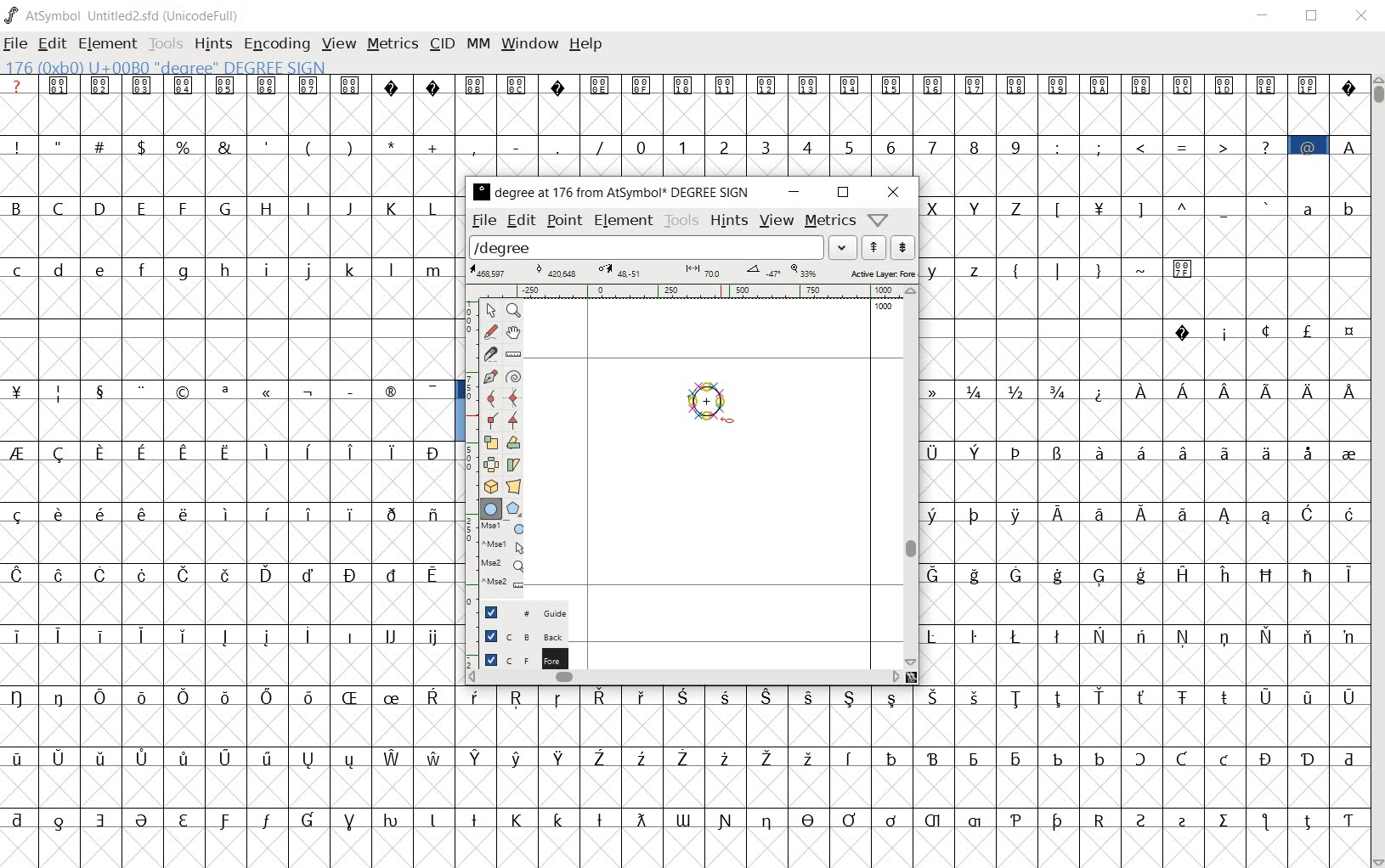  I want to click on metrics, so click(393, 45).